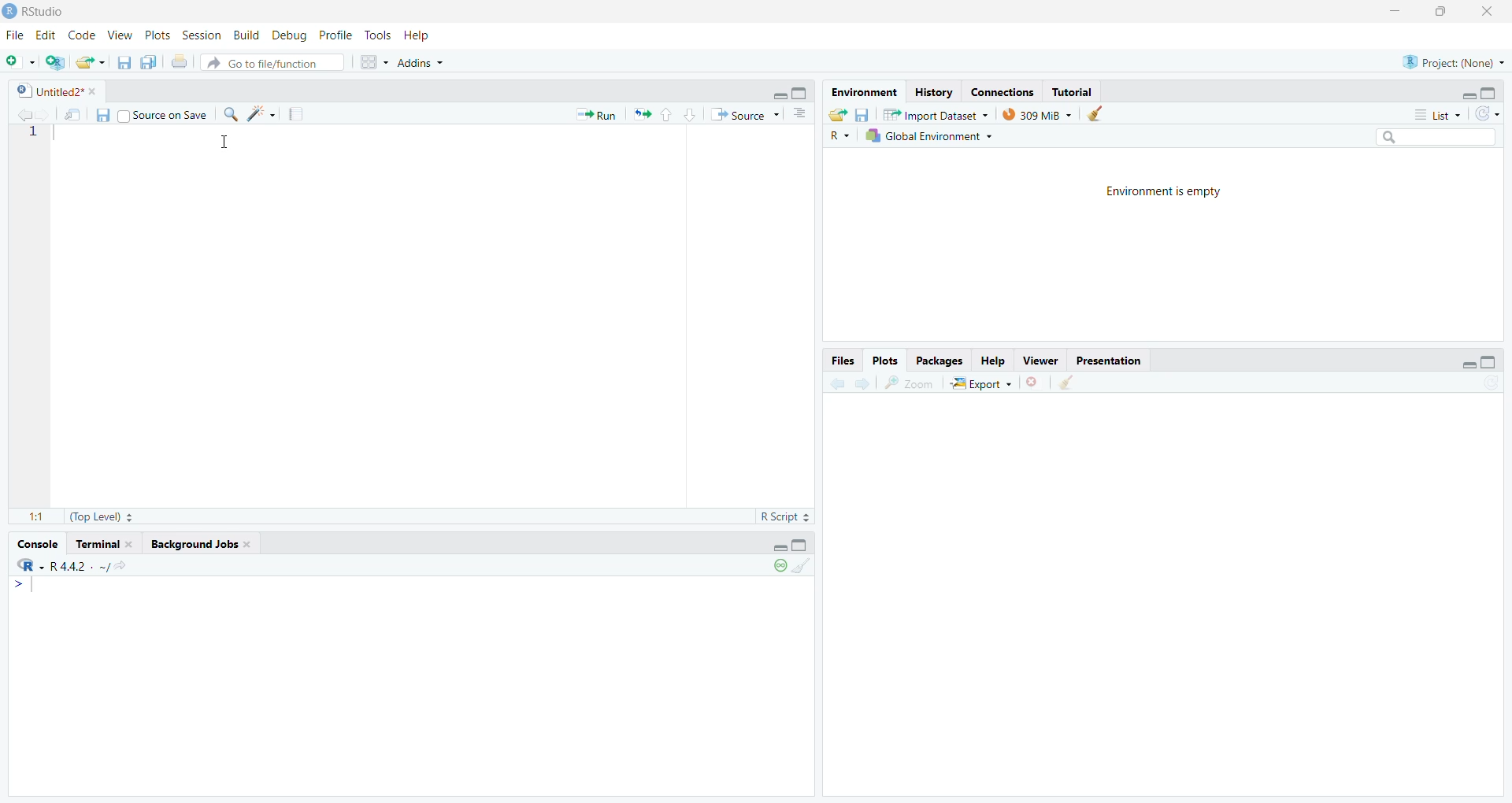 Image resolution: width=1512 pixels, height=803 pixels. What do you see at coordinates (102, 515) in the screenshot?
I see `(Top Level) »` at bounding box center [102, 515].